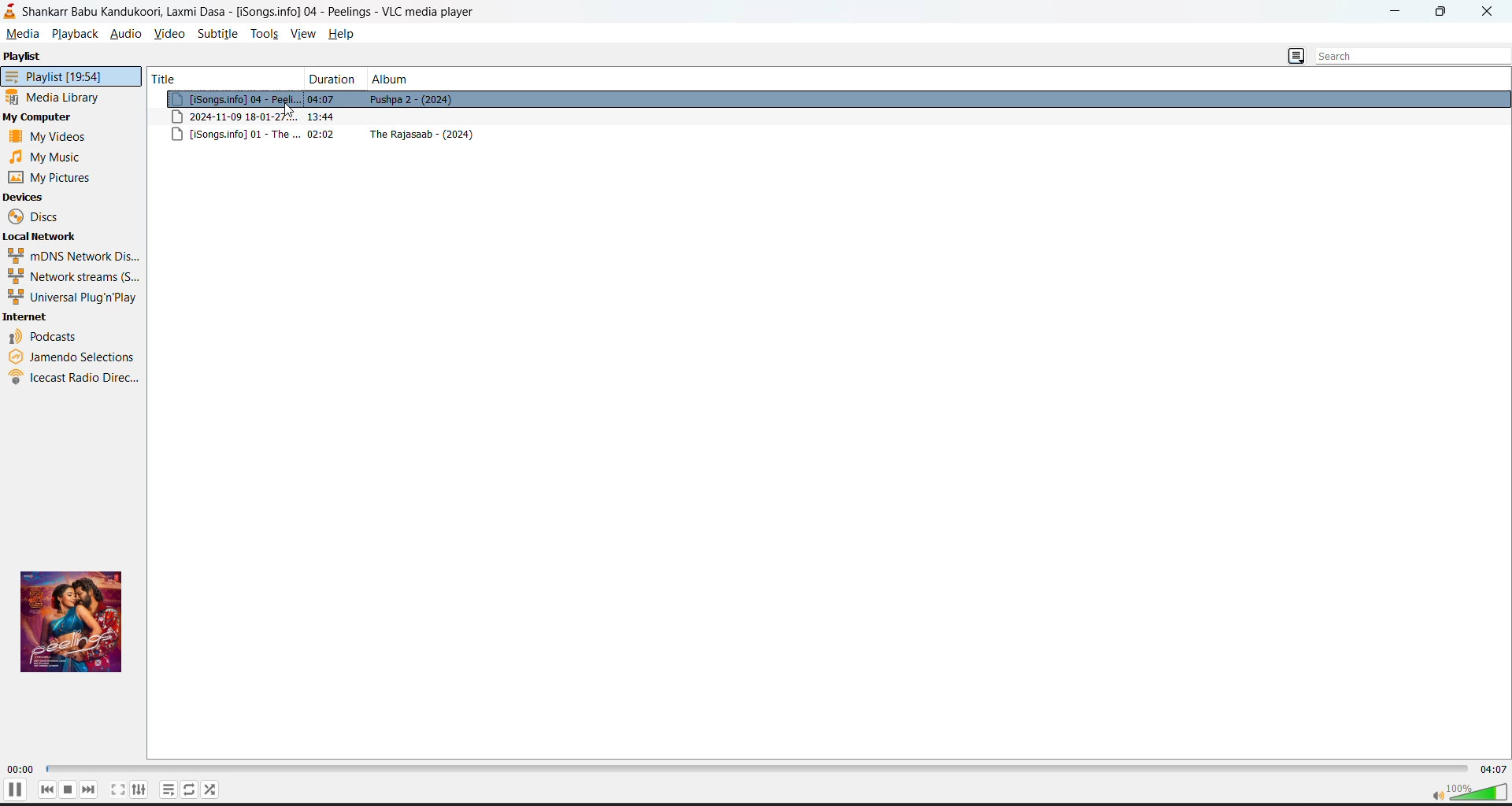 This screenshot has height=806, width=1512. I want to click on change playlist view, so click(1295, 56).